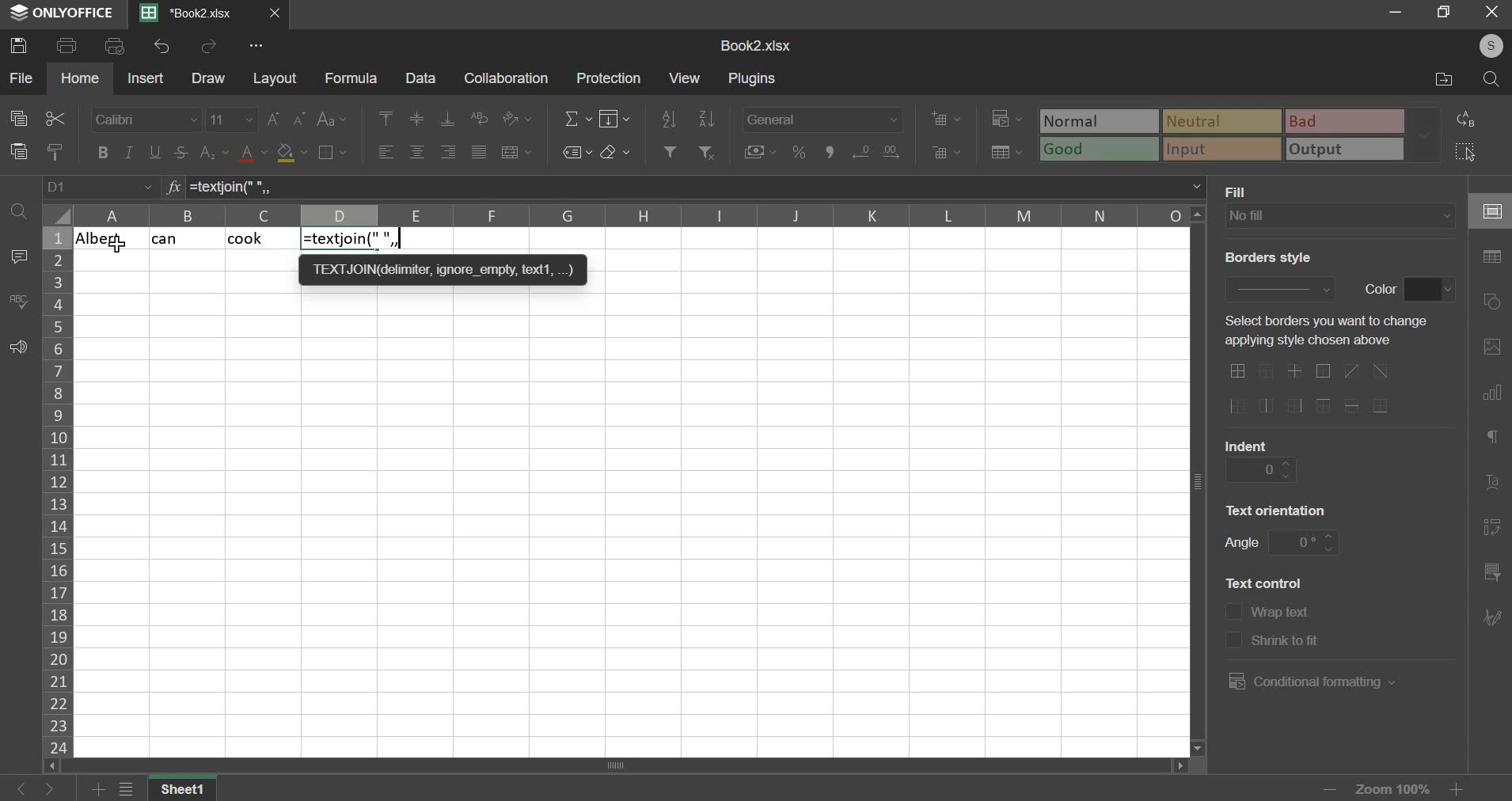  What do you see at coordinates (443, 268) in the screenshot?
I see `TEXTJON deter, ignore empty text,` at bounding box center [443, 268].